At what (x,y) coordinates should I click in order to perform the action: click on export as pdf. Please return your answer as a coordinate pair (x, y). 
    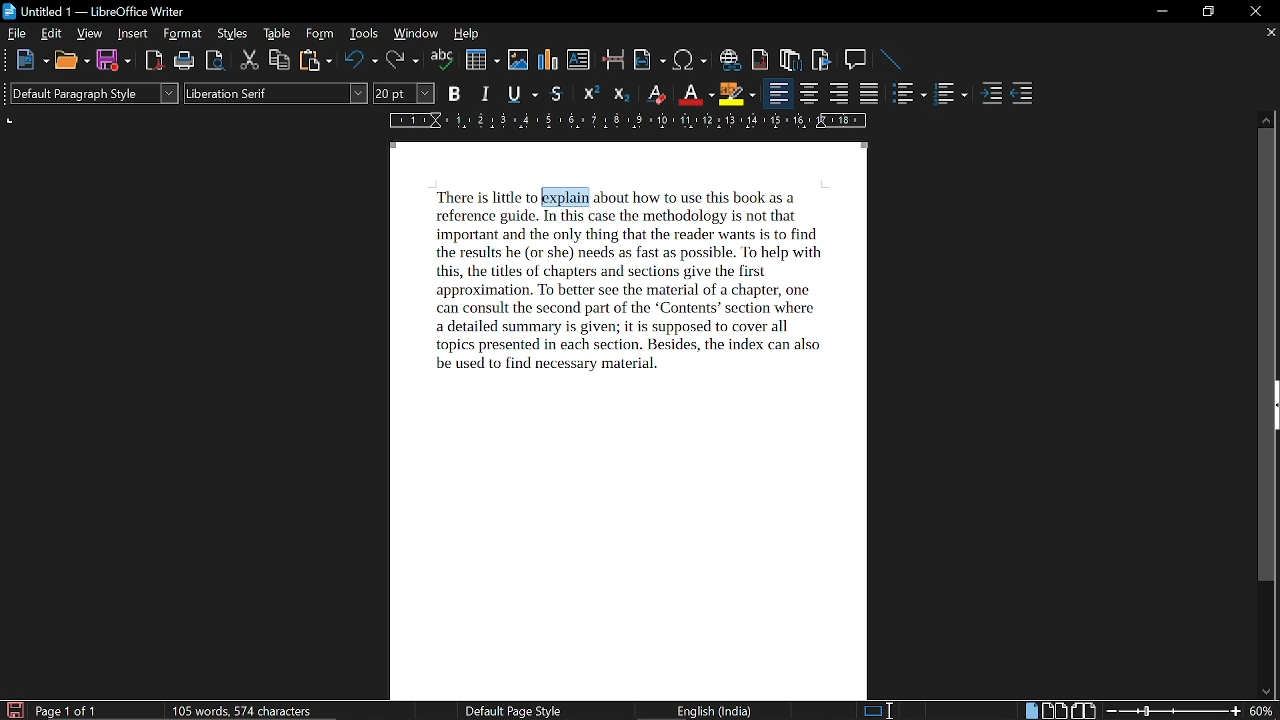
    Looking at the image, I should click on (156, 61).